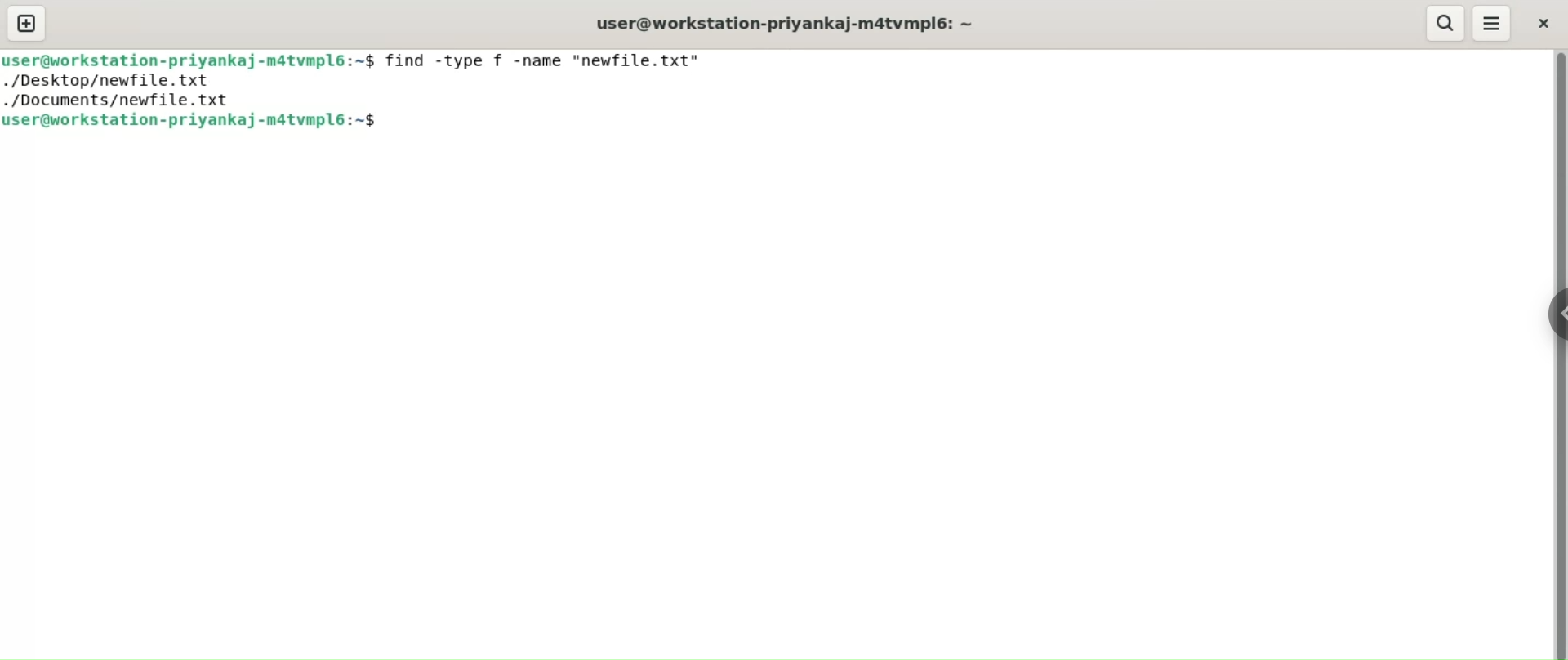 This screenshot has width=1568, height=660. I want to click on command input, so click(963, 123).